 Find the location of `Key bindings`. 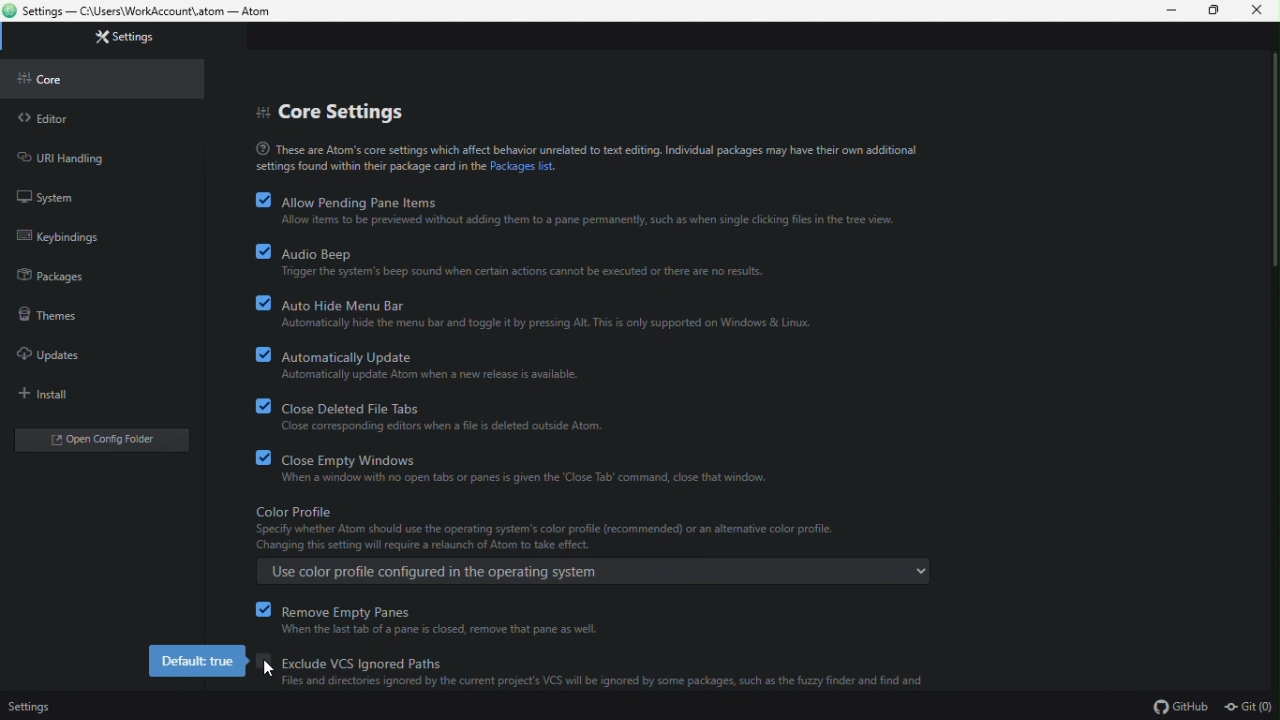

Key bindings is located at coordinates (100, 233).